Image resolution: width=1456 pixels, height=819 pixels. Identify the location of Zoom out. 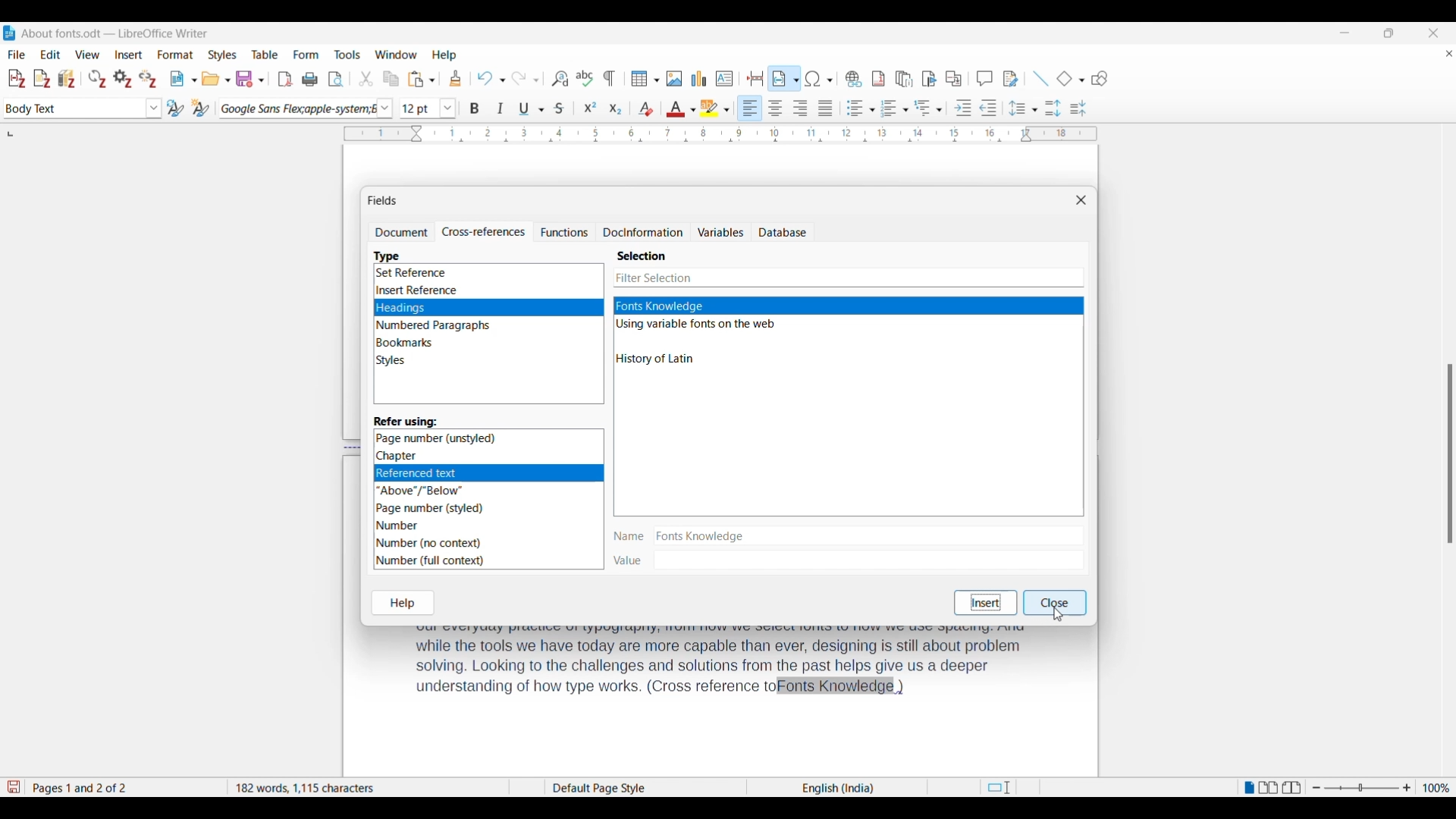
(1316, 789).